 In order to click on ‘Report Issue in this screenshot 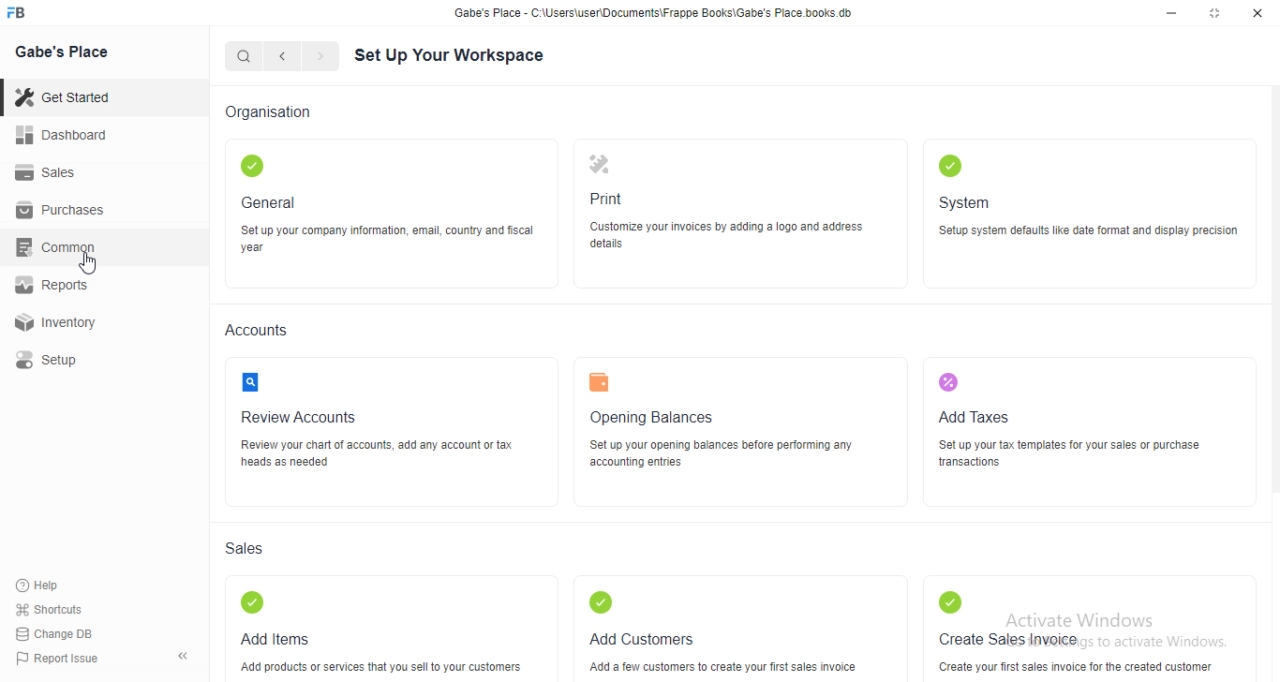, I will do `click(55, 658)`.